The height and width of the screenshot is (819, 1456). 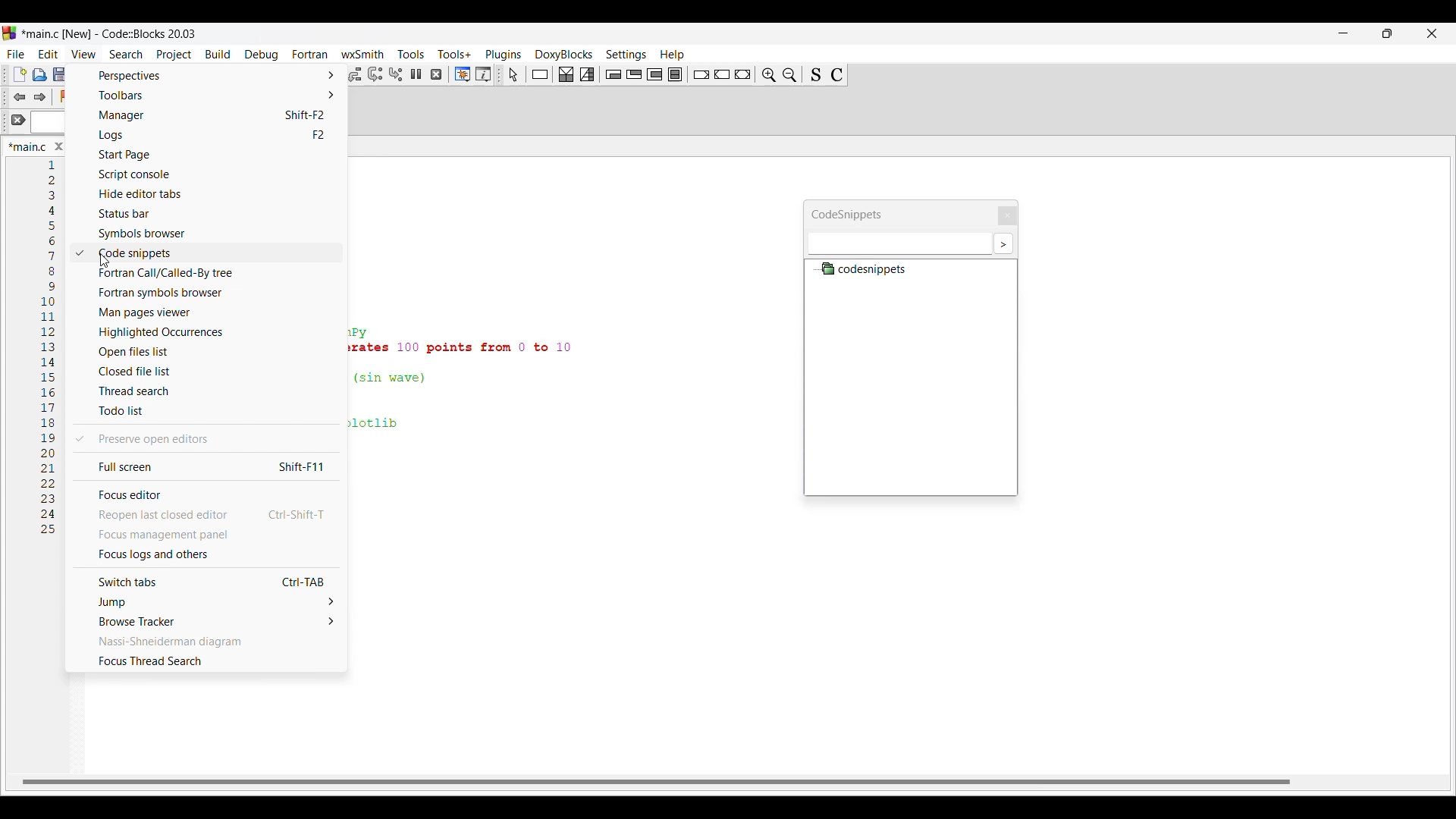 What do you see at coordinates (20, 74) in the screenshot?
I see `New file` at bounding box center [20, 74].